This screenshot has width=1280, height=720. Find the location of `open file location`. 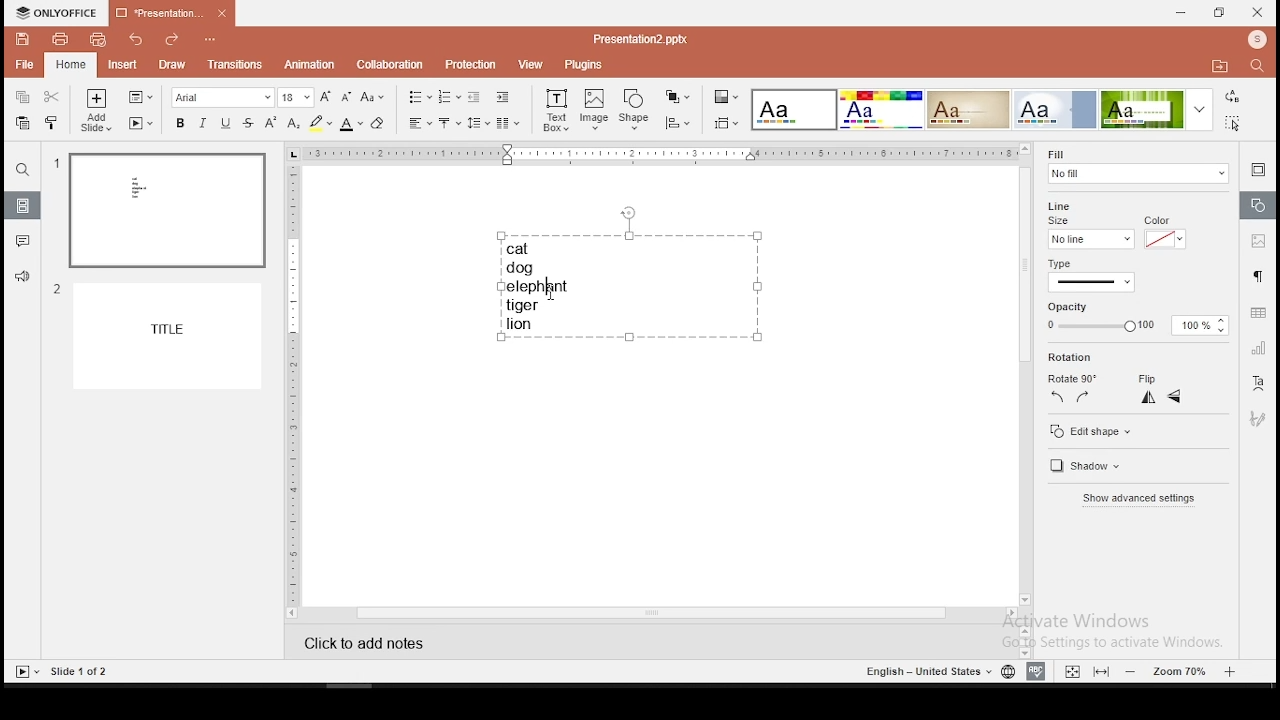

open file location is located at coordinates (1217, 66).